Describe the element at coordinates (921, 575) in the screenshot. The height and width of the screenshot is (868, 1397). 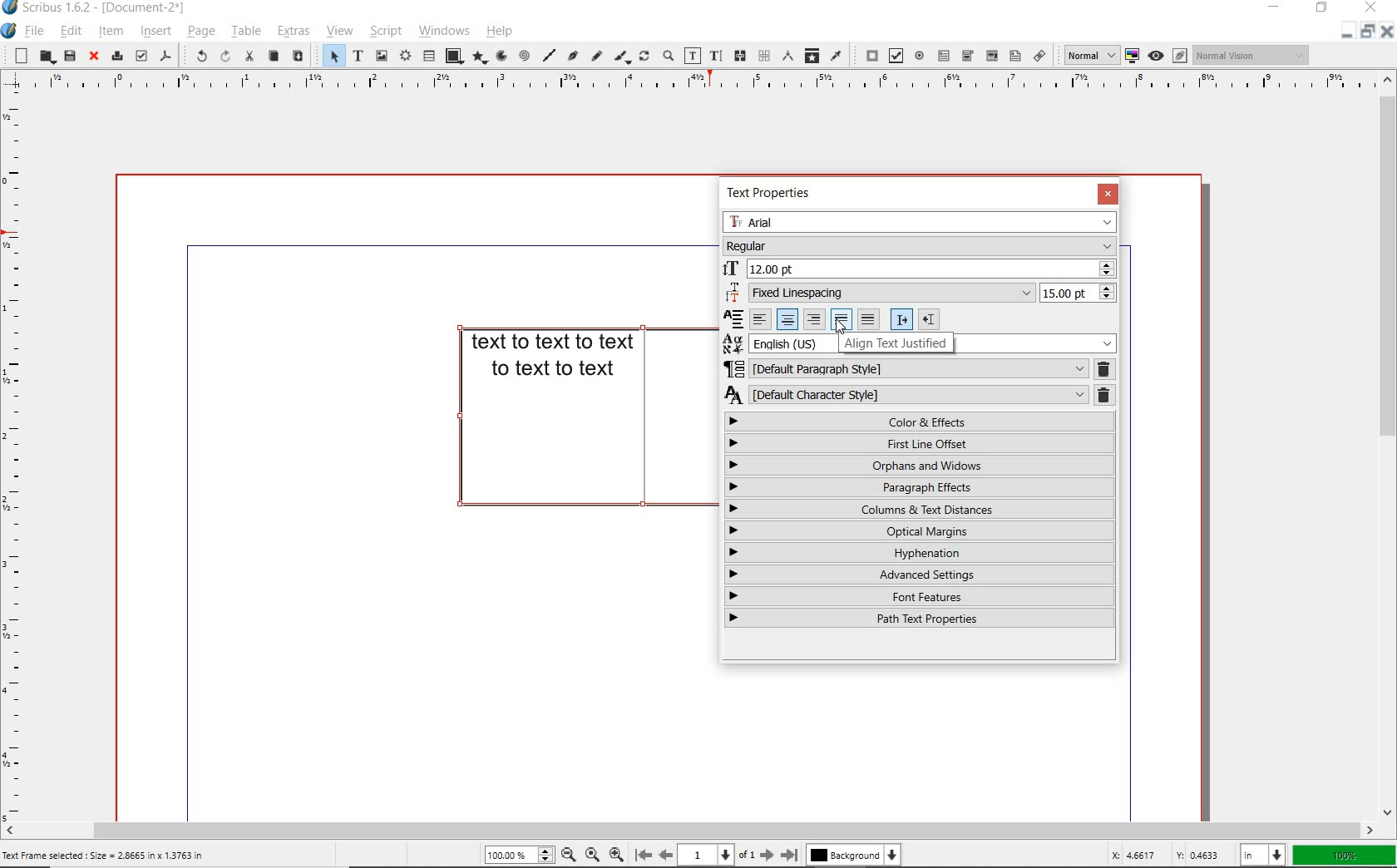
I see `ADVANCED SETTINGS` at that location.